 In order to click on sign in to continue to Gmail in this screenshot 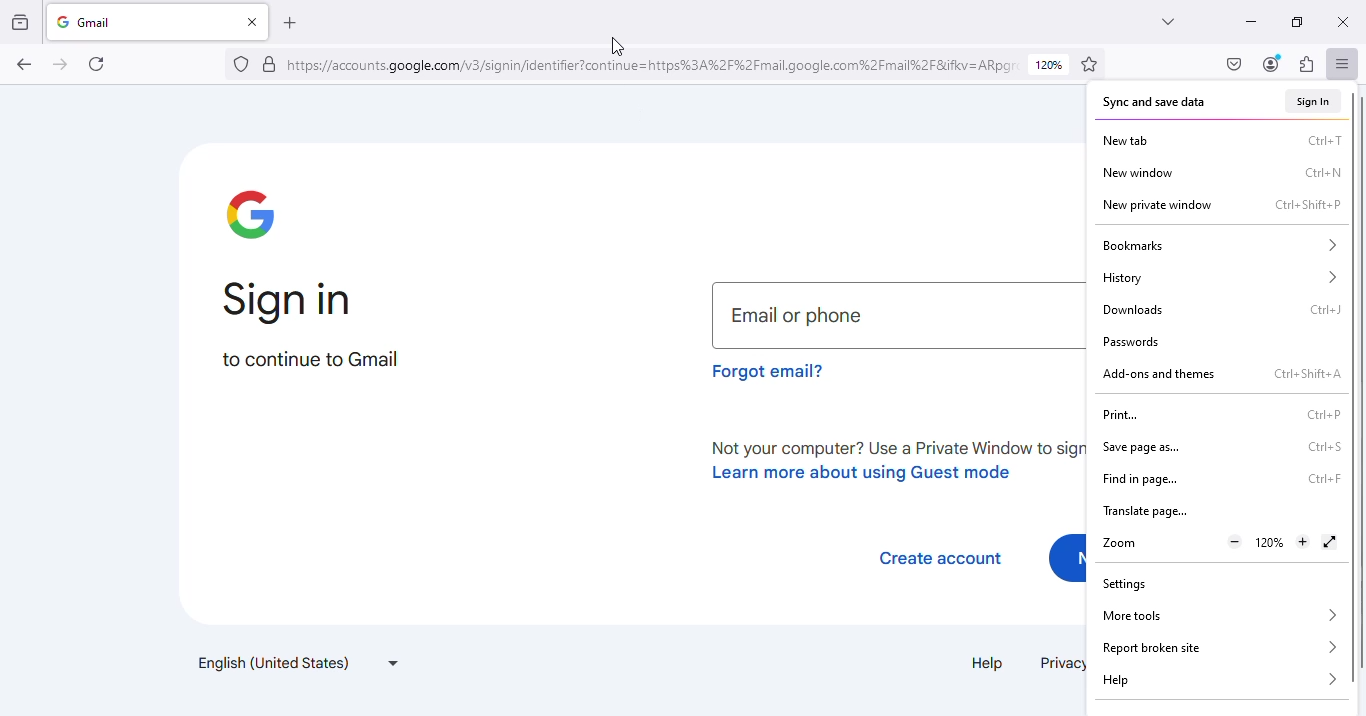, I will do `click(312, 328)`.